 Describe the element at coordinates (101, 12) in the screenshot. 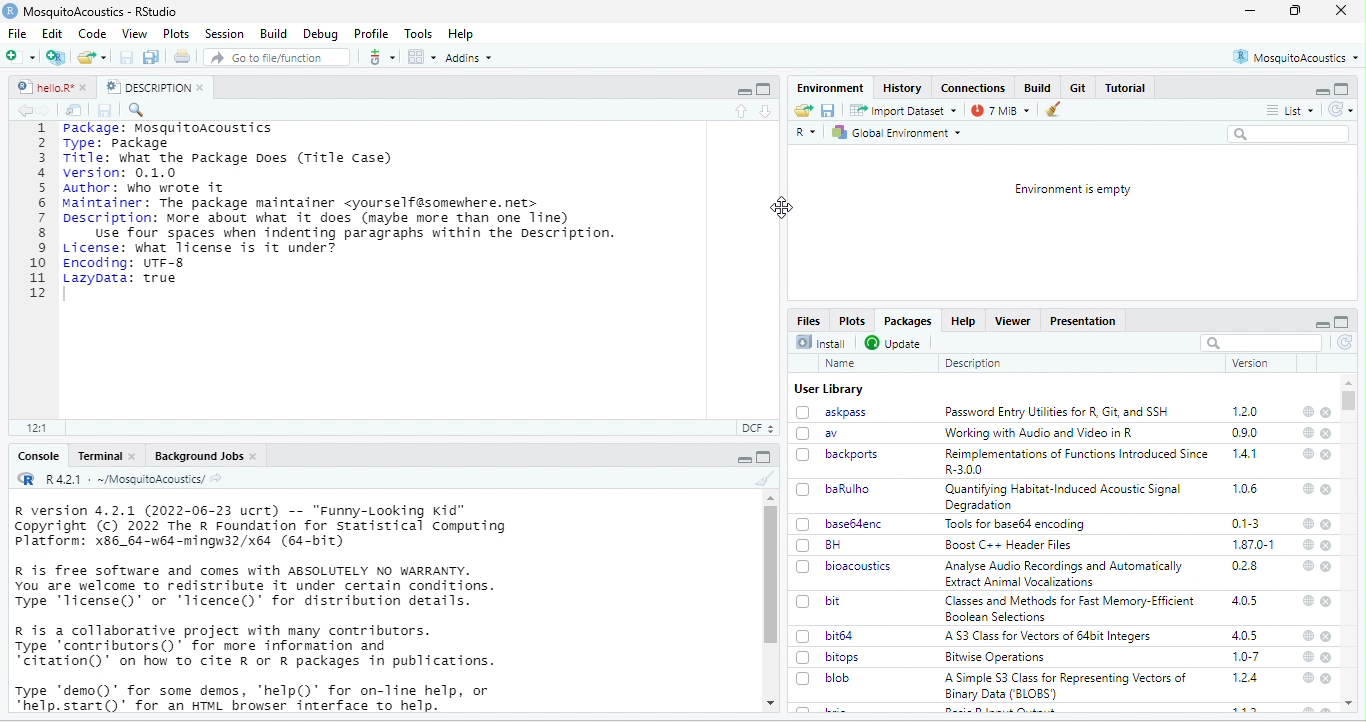

I see `MosquitoAcoustics - RStudio` at that location.